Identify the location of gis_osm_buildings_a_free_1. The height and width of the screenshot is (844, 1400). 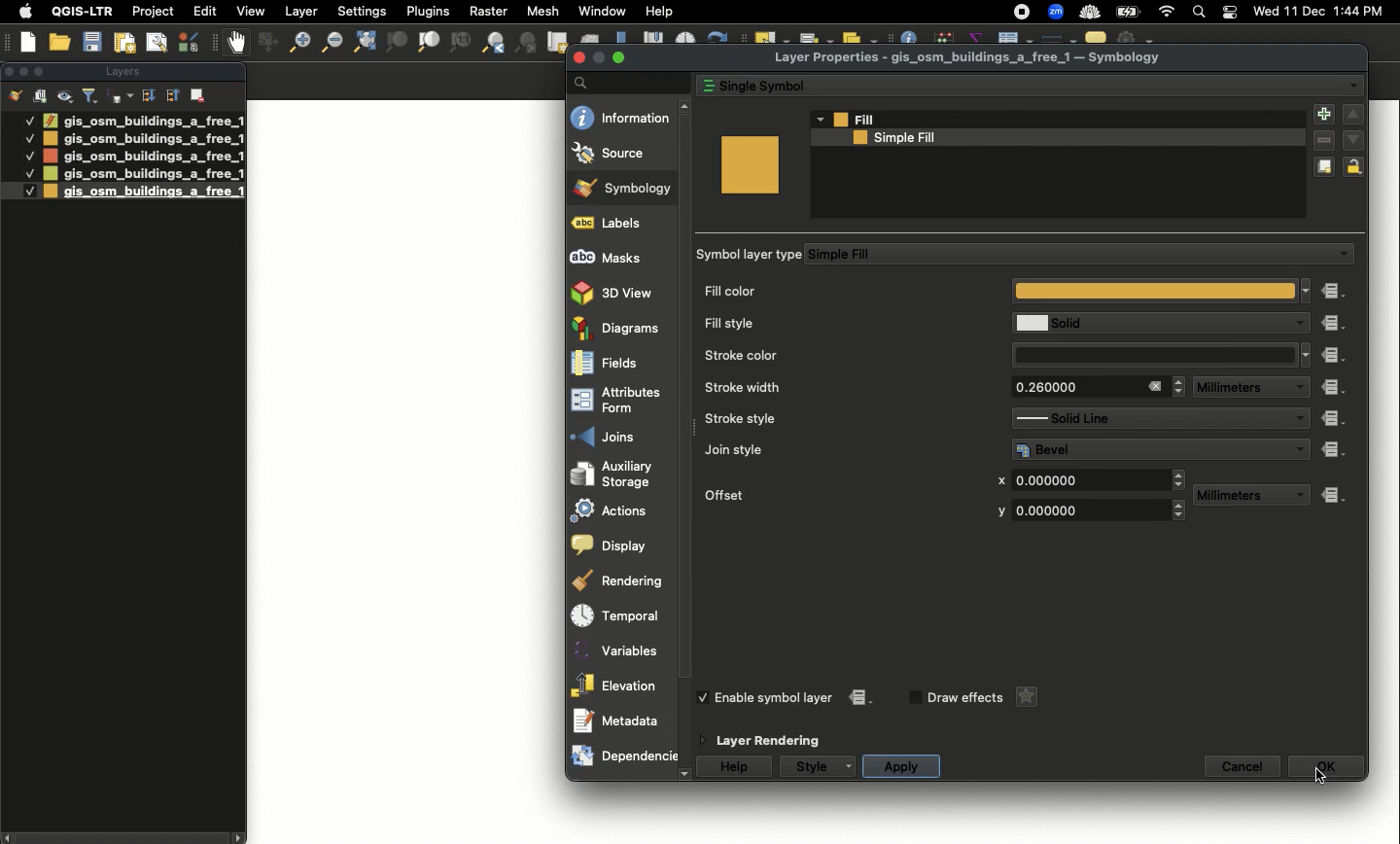
(143, 156).